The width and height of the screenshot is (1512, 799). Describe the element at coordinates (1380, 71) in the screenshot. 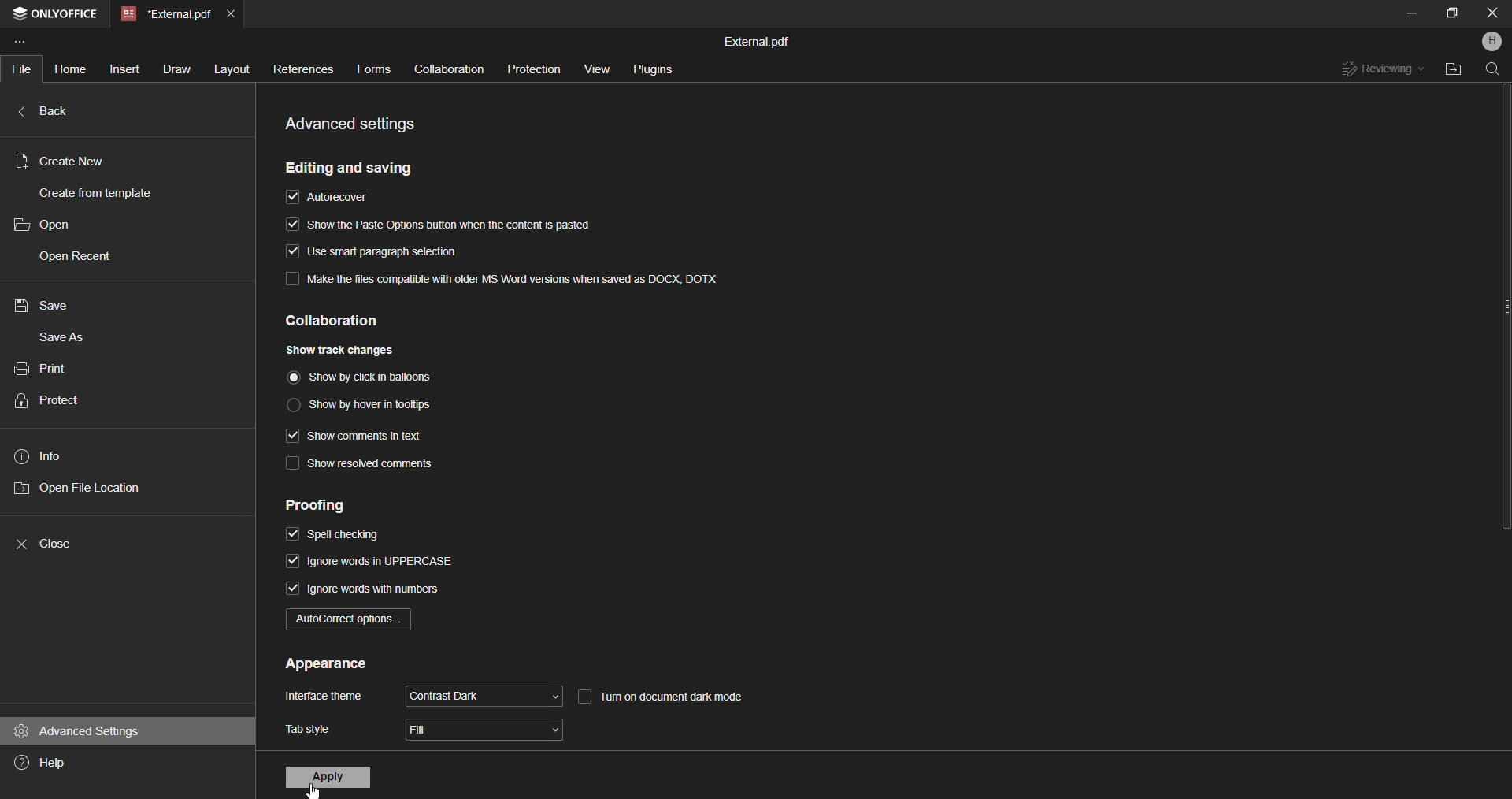

I see `Reviewing` at that location.